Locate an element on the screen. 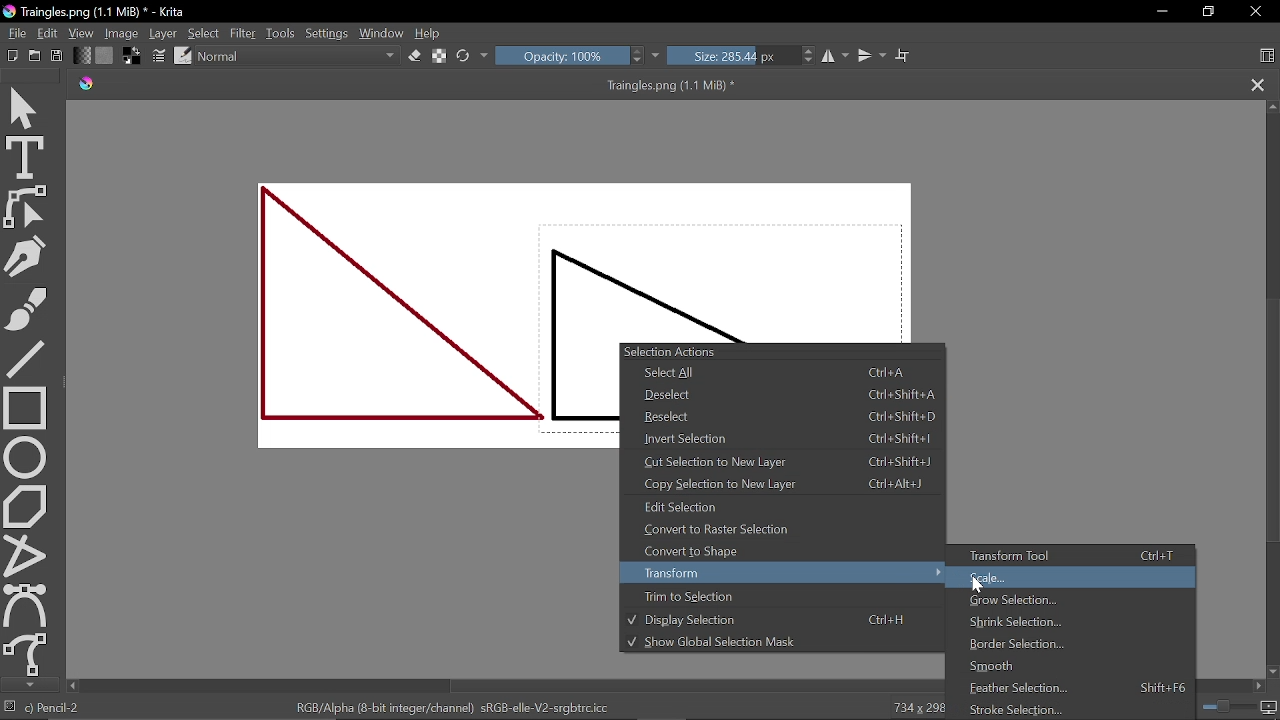 The width and height of the screenshot is (1280, 720). Eraser is located at coordinates (414, 57).